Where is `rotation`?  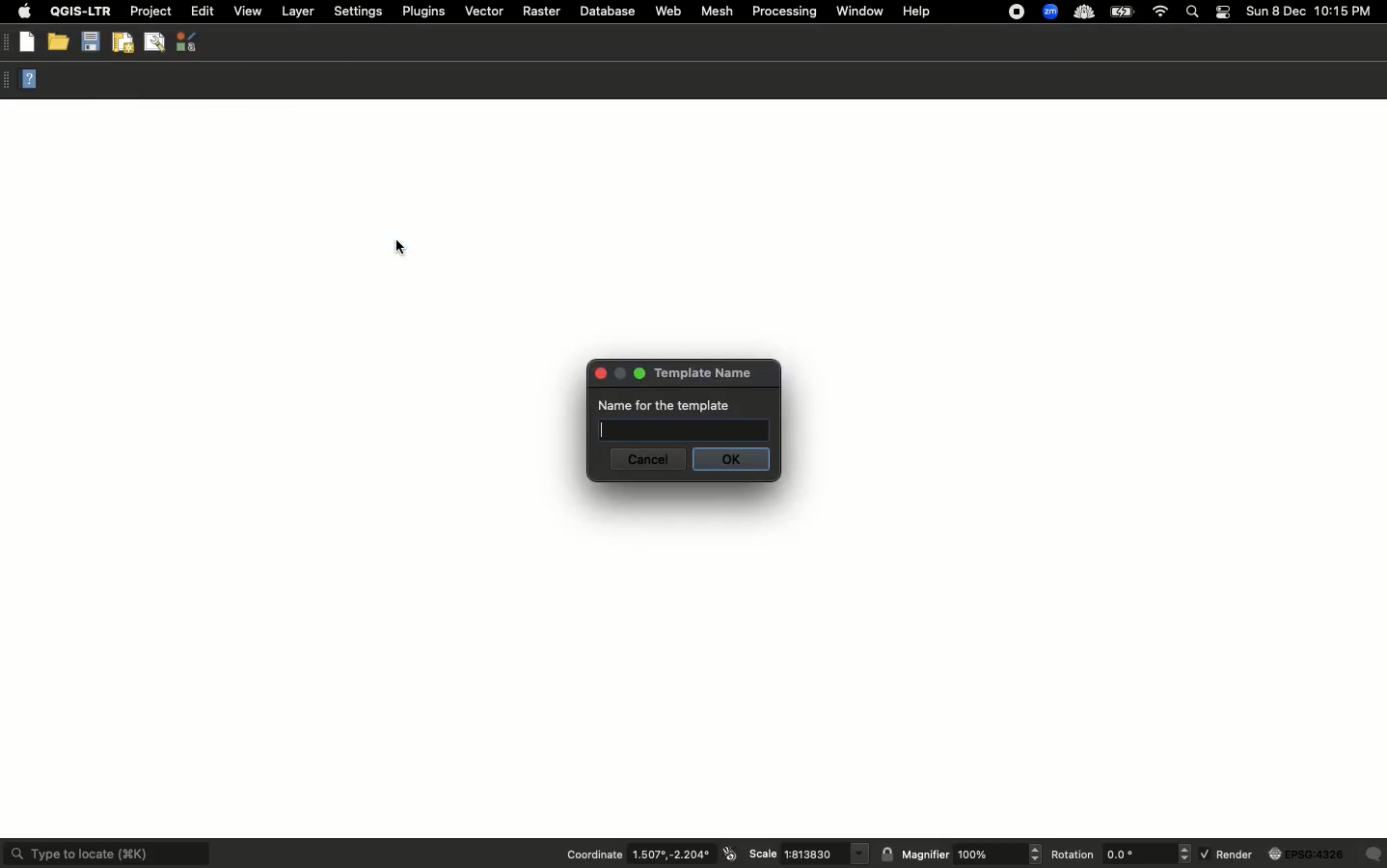 rotation is located at coordinates (1149, 854).